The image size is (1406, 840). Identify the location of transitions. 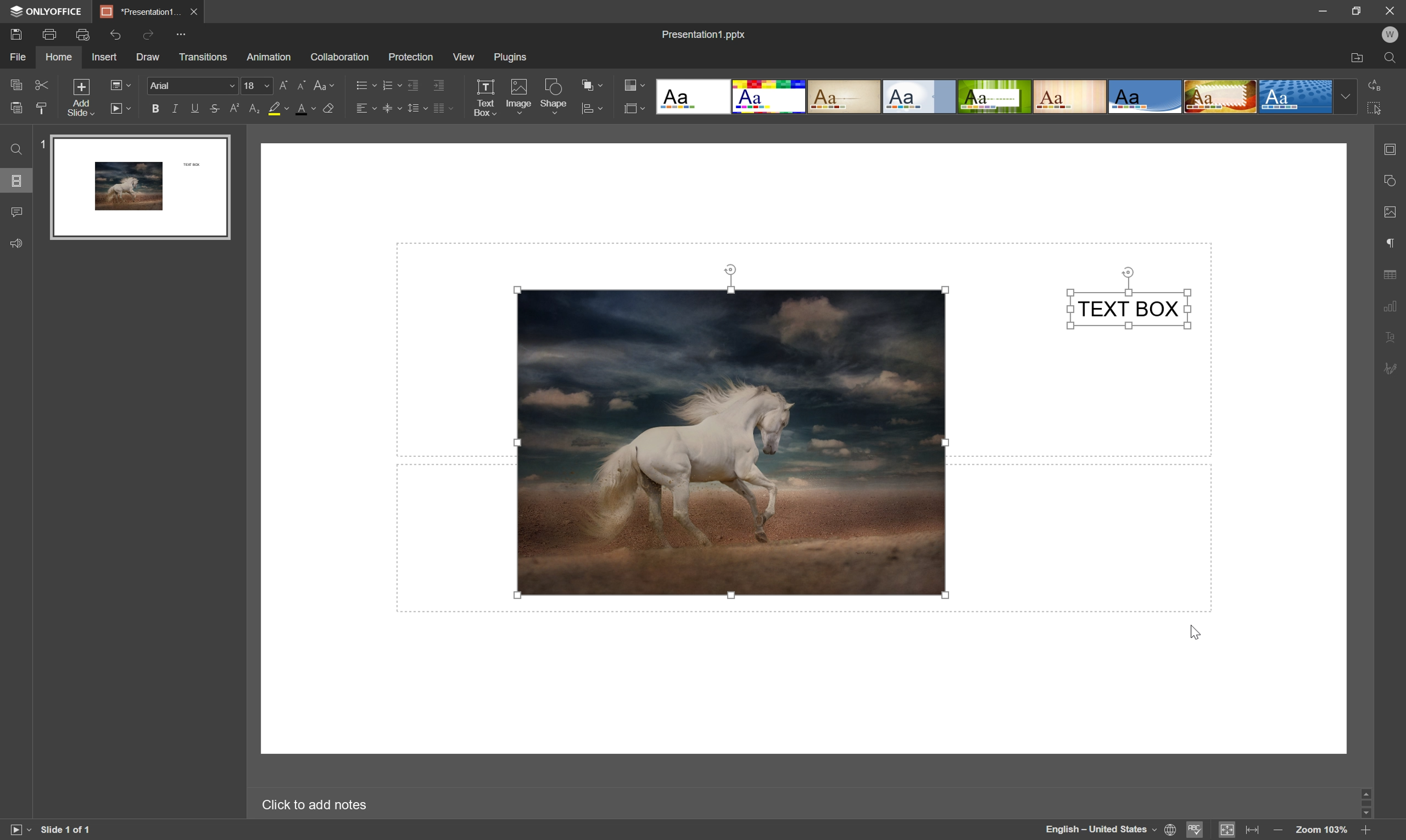
(203, 57).